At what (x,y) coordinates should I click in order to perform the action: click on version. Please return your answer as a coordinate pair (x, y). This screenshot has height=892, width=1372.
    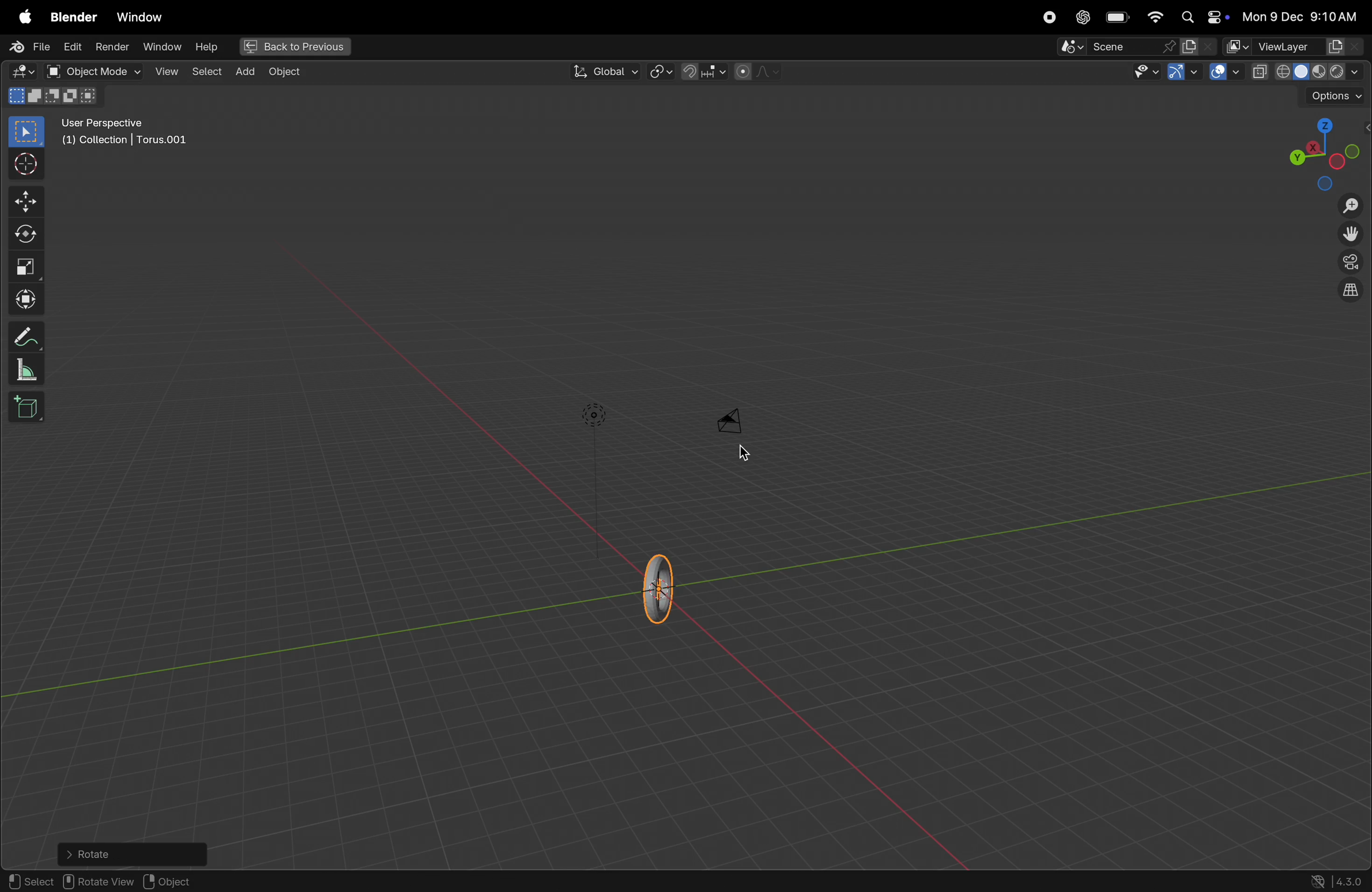
    Looking at the image, I should click on (1336, 879).